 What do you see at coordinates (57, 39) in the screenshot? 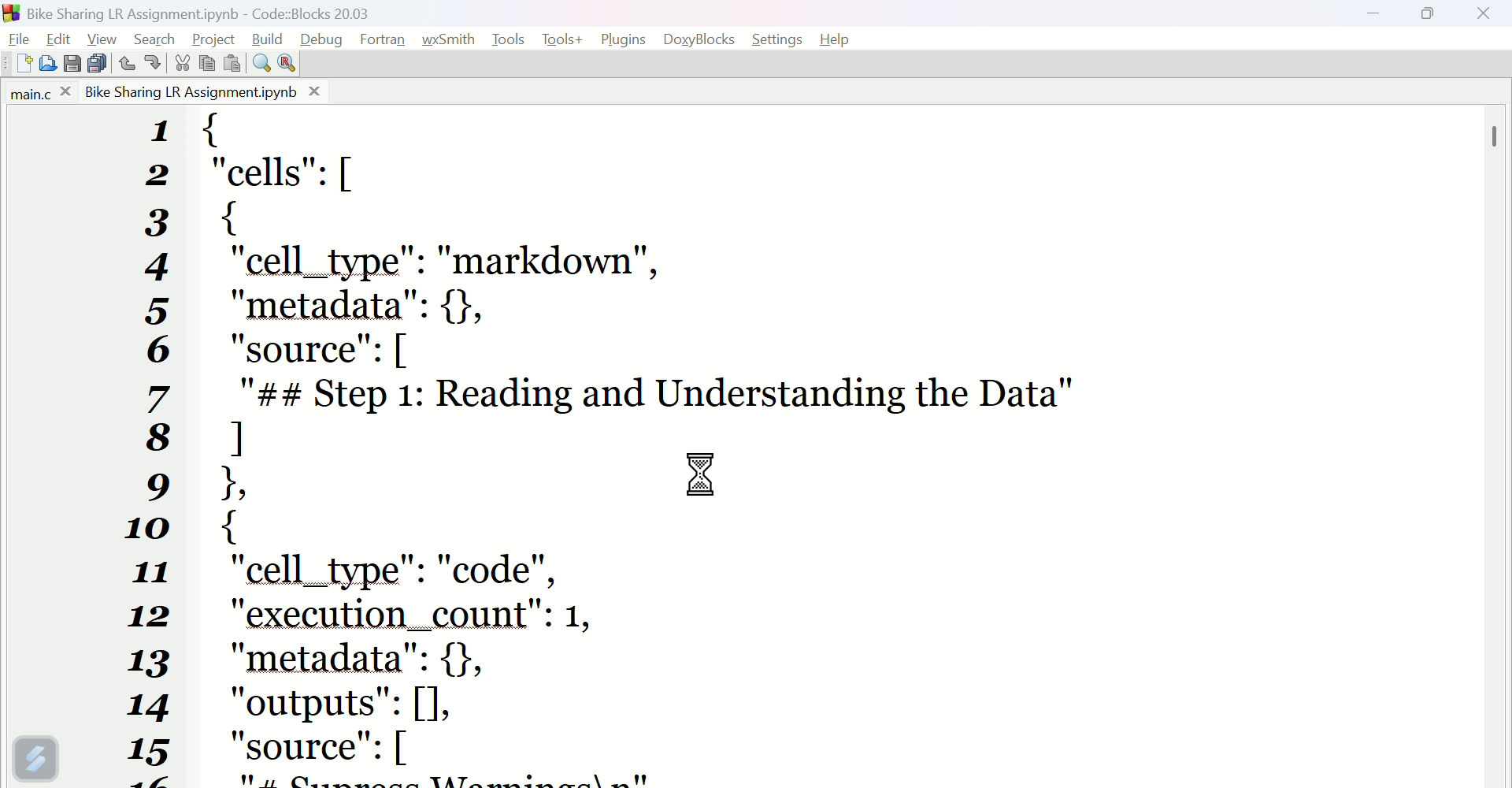
I see `Edit` at bounding box center [57, 39].